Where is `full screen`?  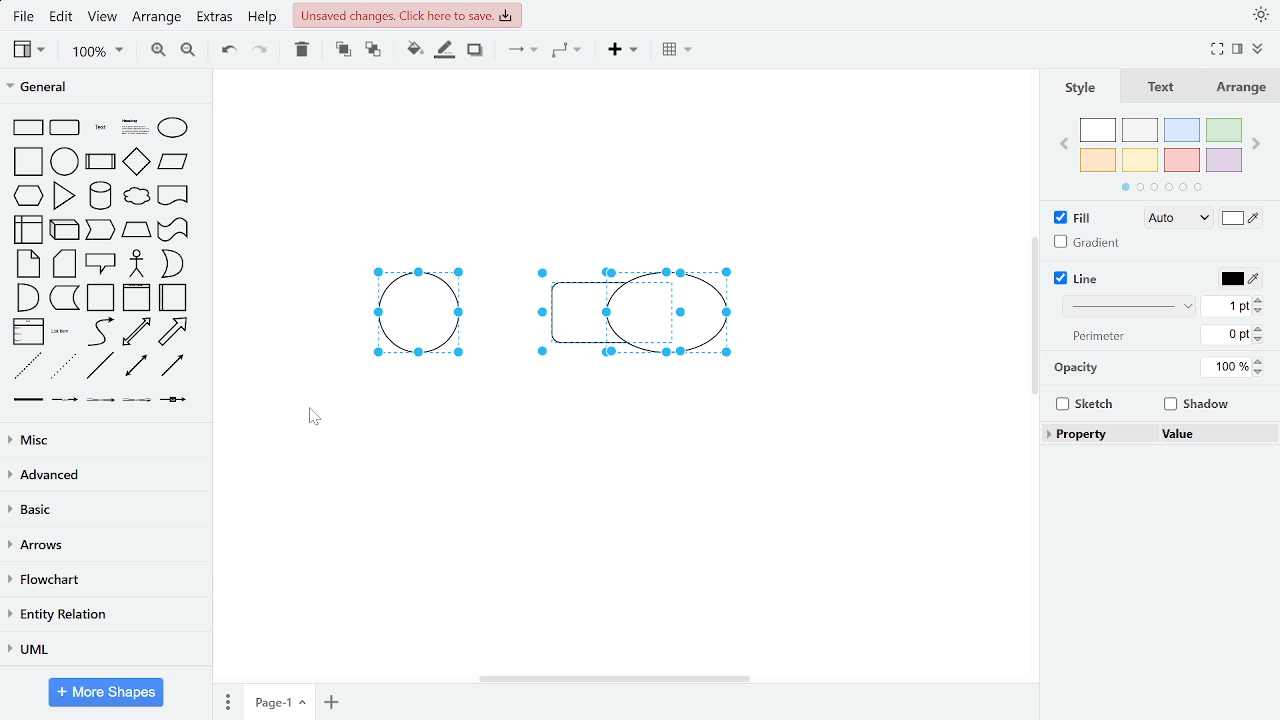 full screen is located at coordinates (1216, 50).